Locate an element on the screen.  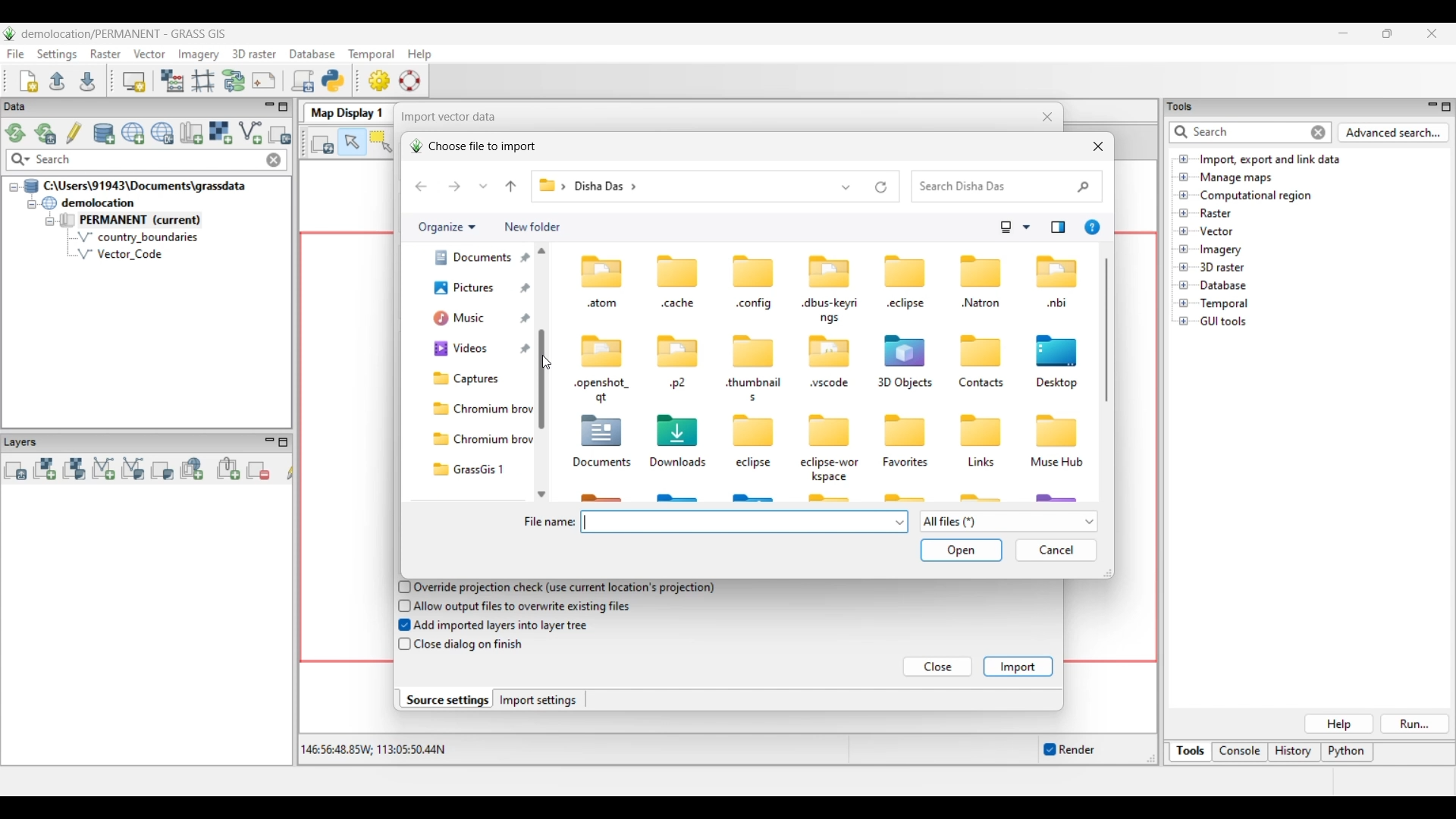
Open a simple python code editor is located at coordinates (333, 80).